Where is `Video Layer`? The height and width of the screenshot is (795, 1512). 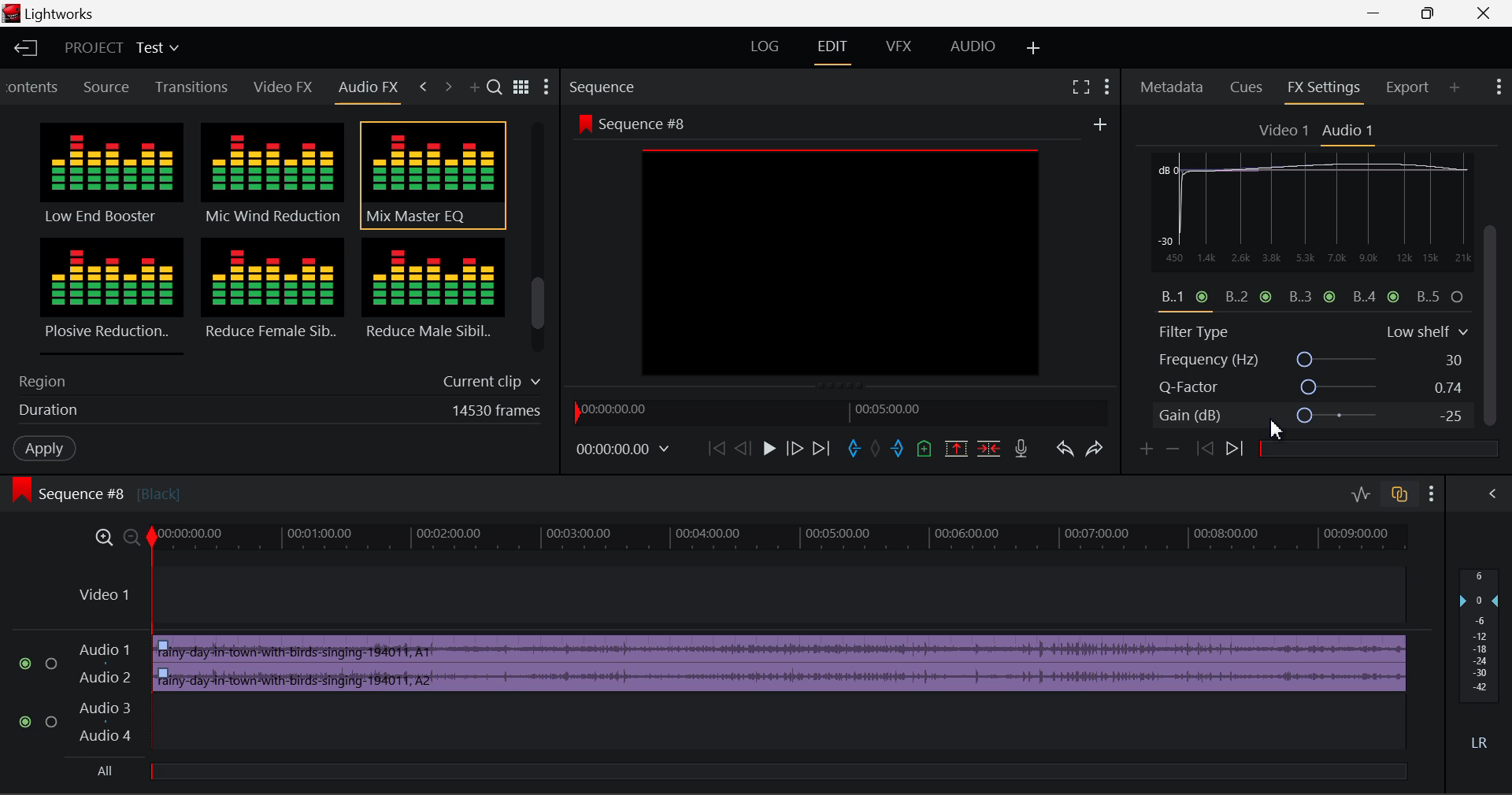 Video Layer is located at coordinates (737, 597).